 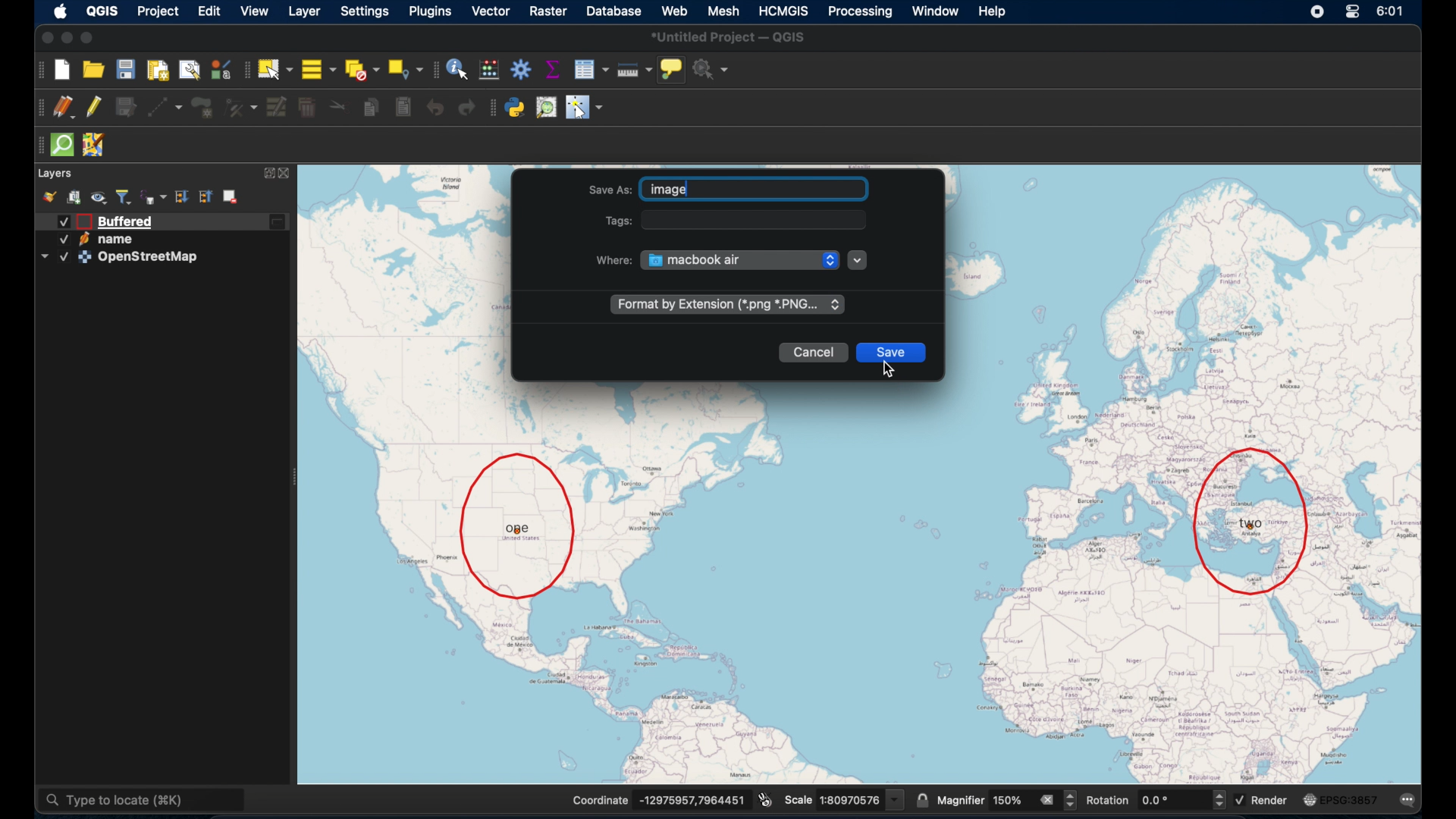 What do you see at coordinates (739, 259) in the screenshot?
I see `MacBook Air drop down menu` at bounding box center [739, 259].